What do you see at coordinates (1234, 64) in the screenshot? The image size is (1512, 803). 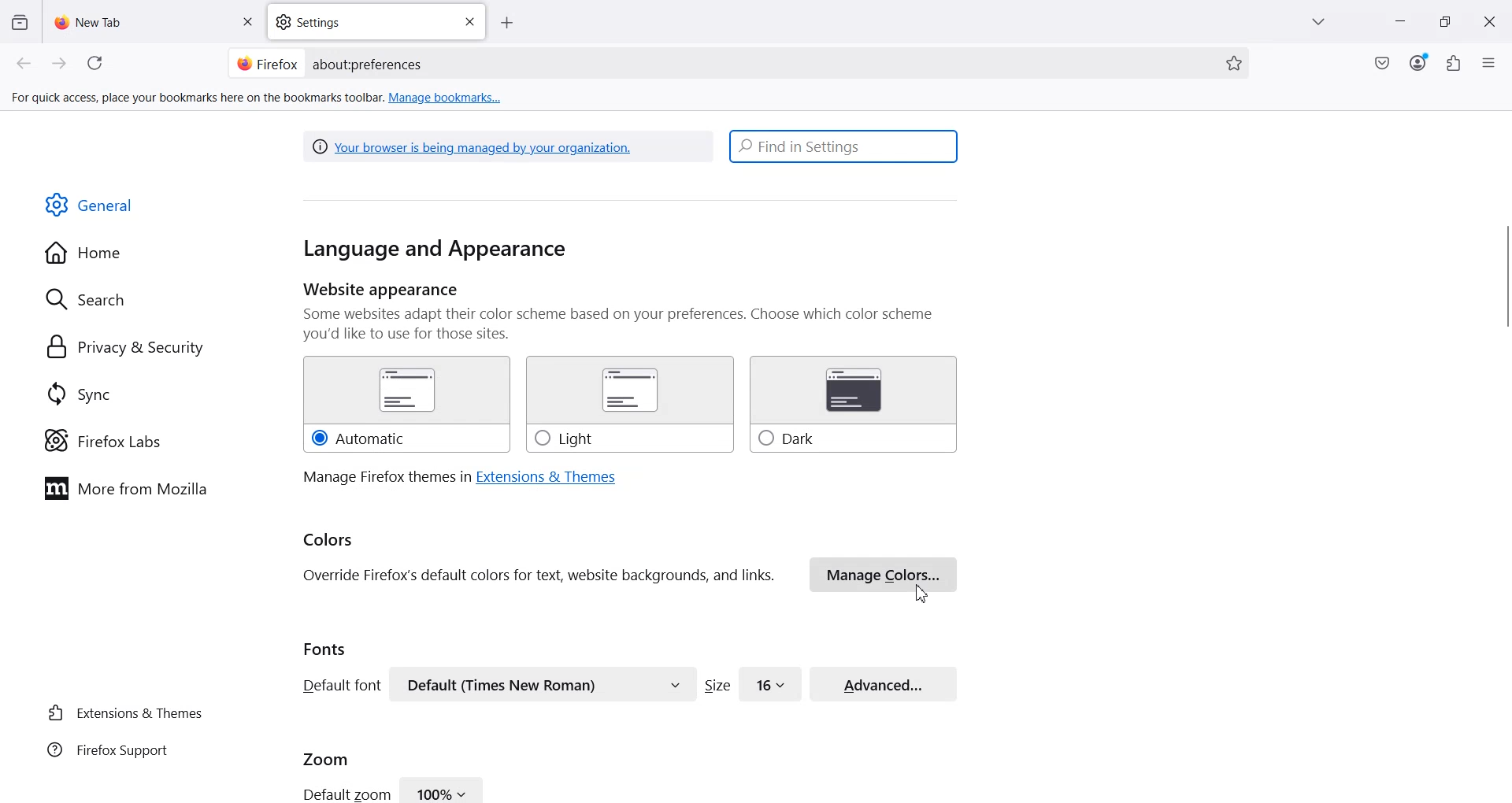 I see `Starred` at bounding box center [1234, 64].